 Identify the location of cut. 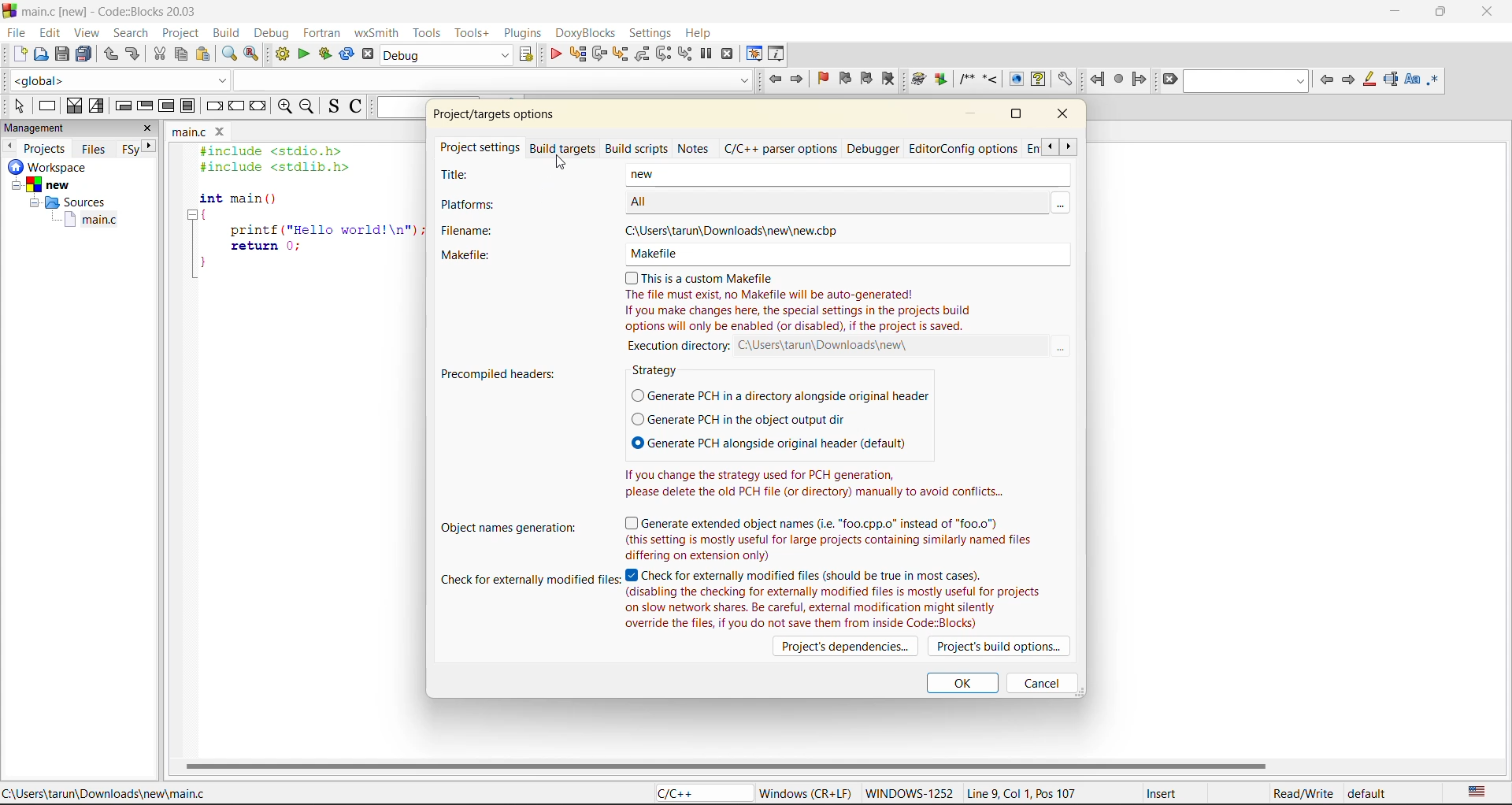
(158, 54).